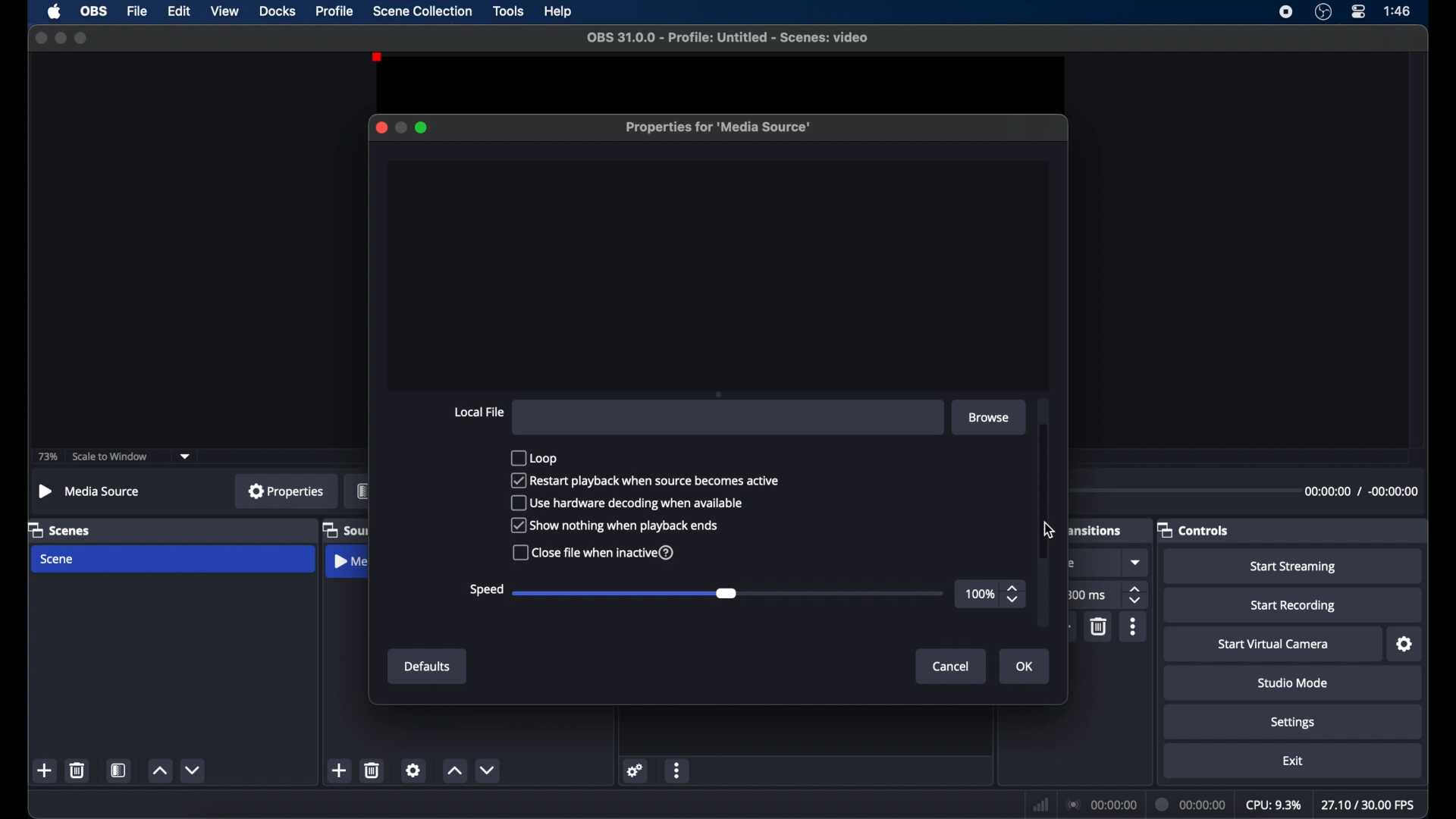  I want to click on 73%, so click(49, 457).